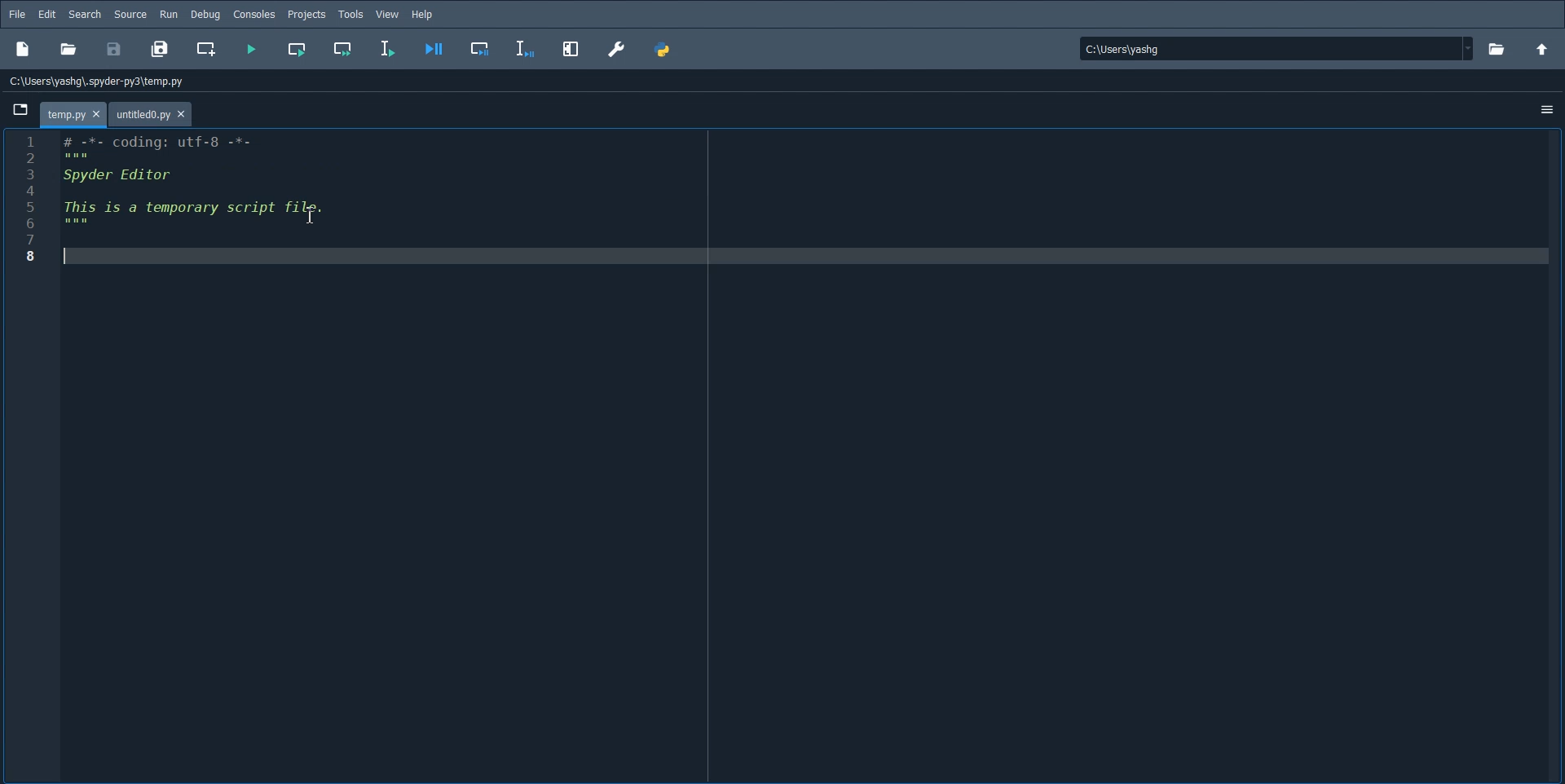 The height and width of the screenshot is (784, 1565). Describe the element at coordinates (47, 15) in the screenshot. I see `Edit` at that location.